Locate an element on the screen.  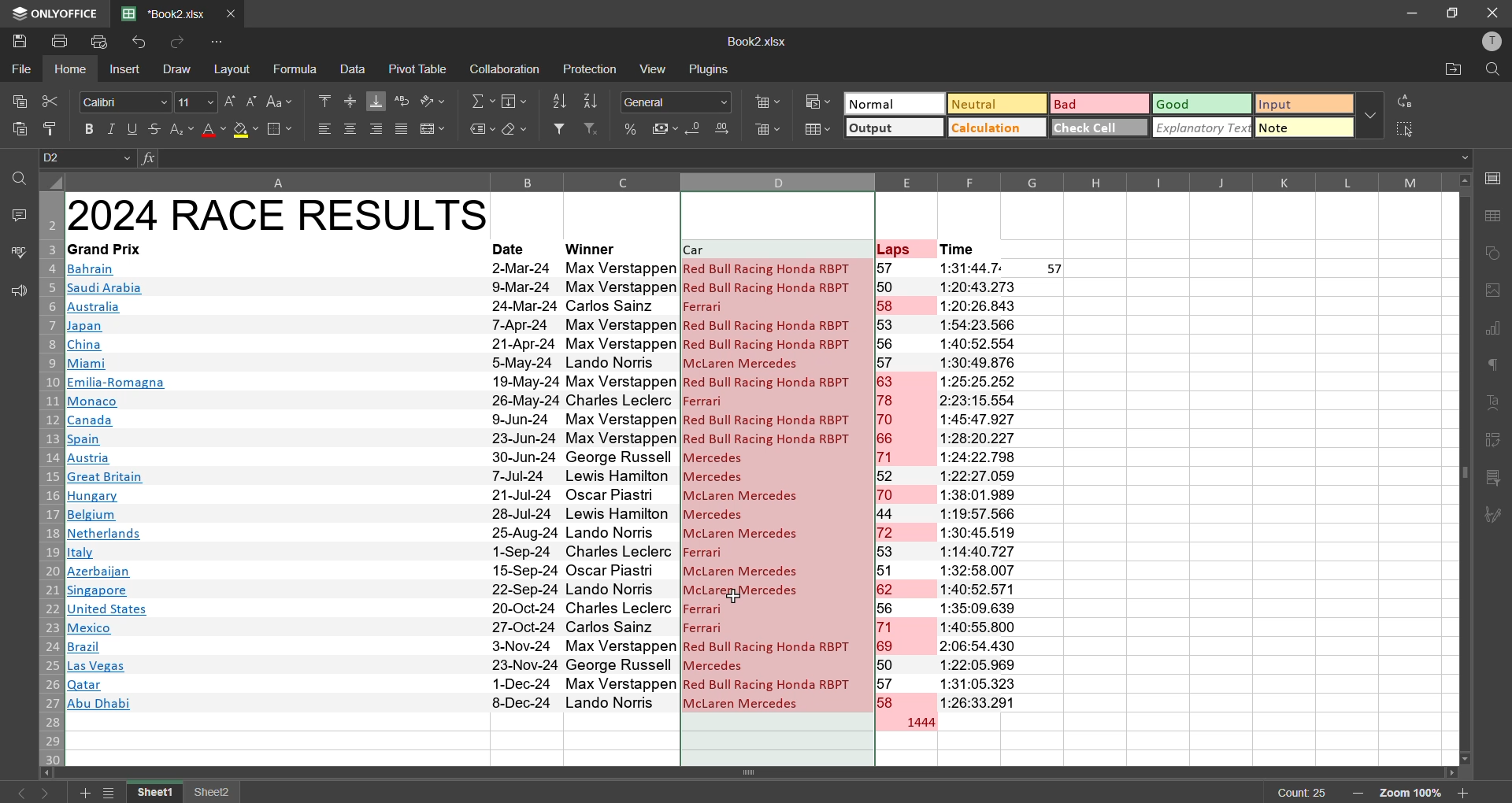
formula bar is located at coordinates (807, 158).